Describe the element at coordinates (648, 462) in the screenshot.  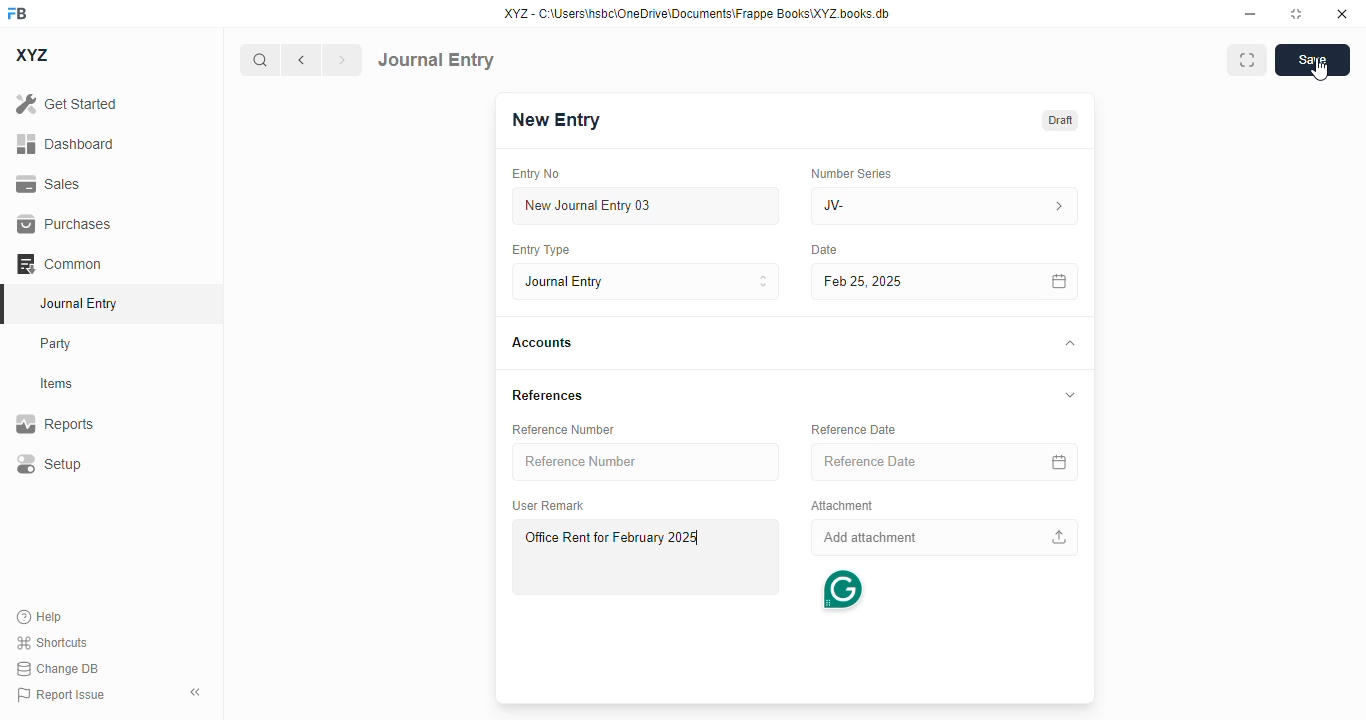
I see `reference number` at that location.